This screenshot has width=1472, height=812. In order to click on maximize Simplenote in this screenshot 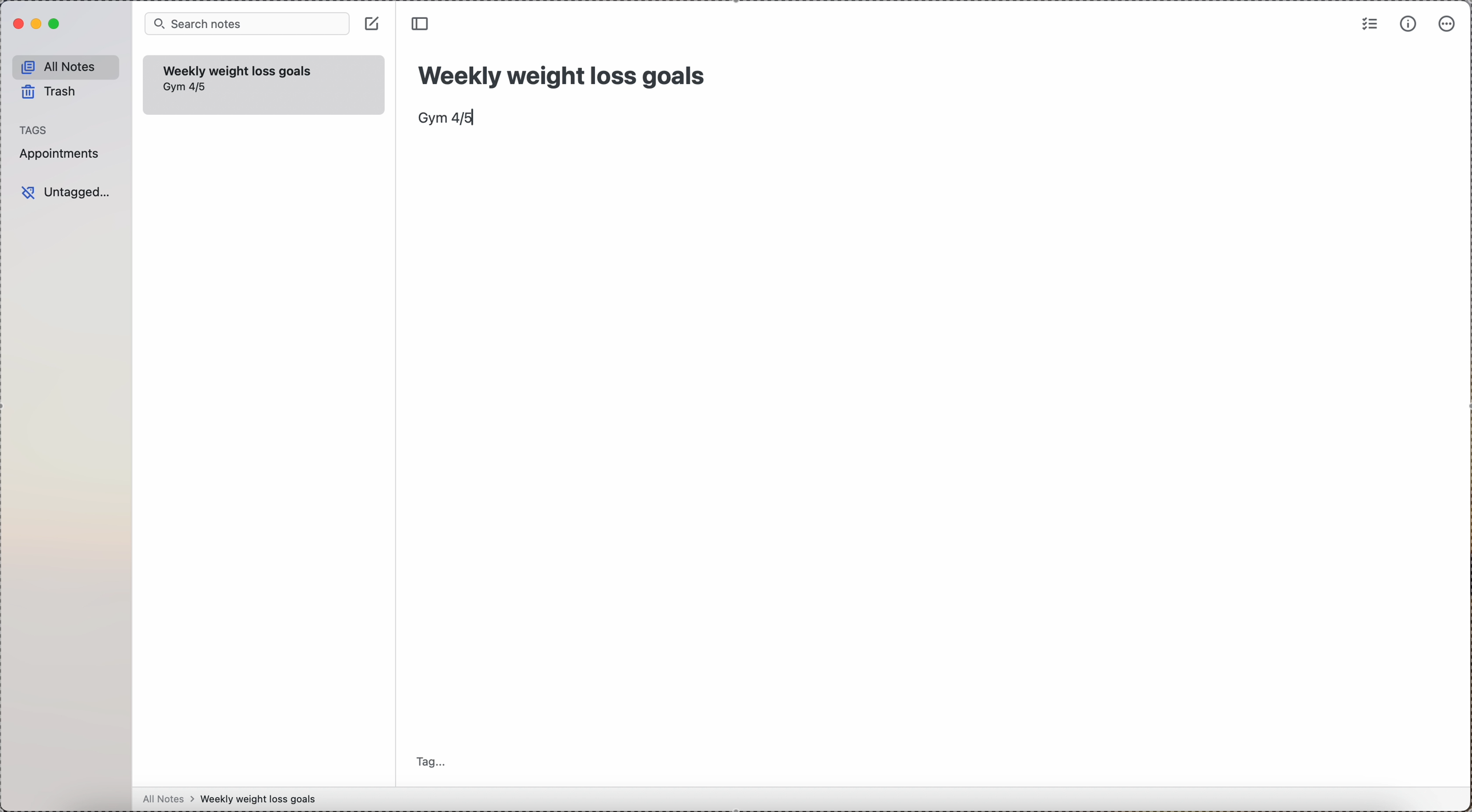, I will do `click(56, 24)`.